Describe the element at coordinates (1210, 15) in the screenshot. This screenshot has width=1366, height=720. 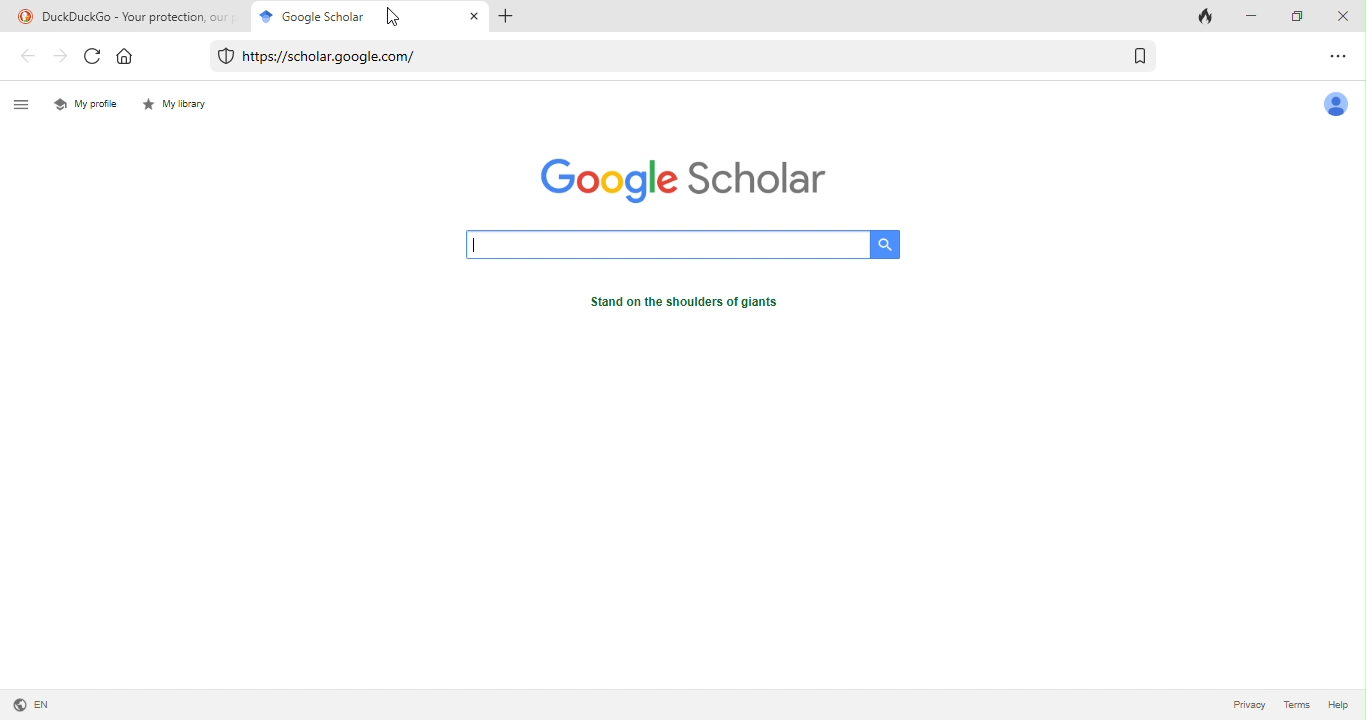
I see `track tab` at that location.